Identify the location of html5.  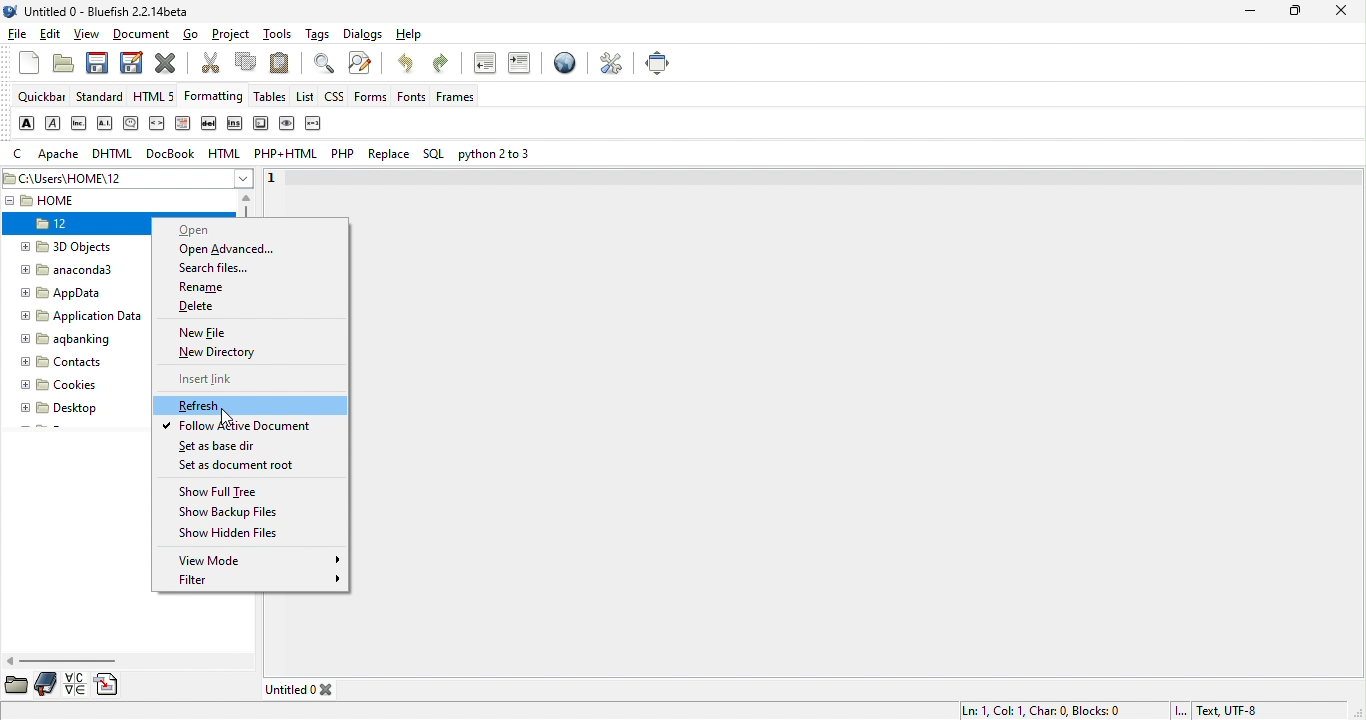
(156, 97).